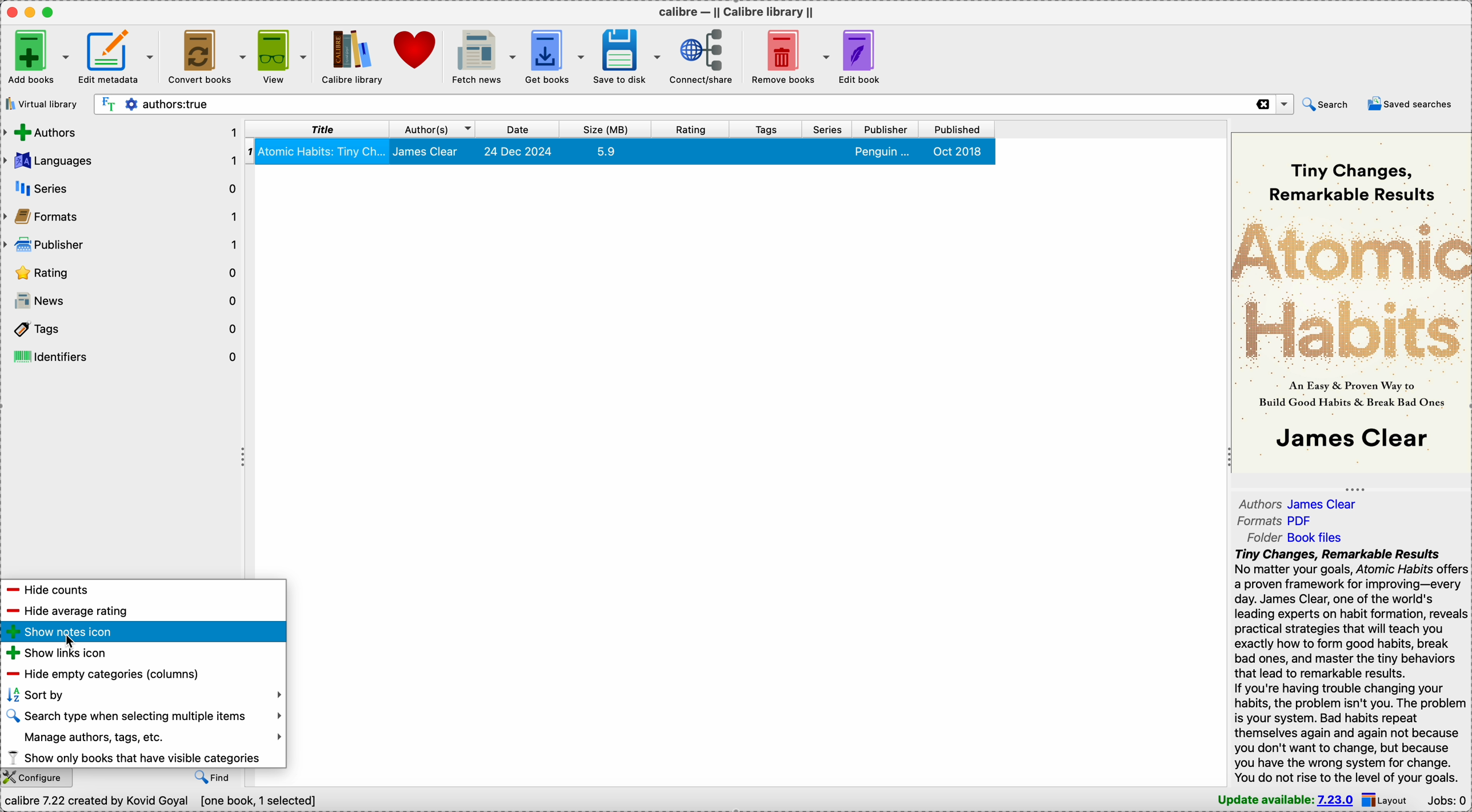 Image resolution: width=1472 pixels, height=812 pixels. Describe the element at coordinates (30, 13) in the screenshot. I see `minimize Calibre` at that location.